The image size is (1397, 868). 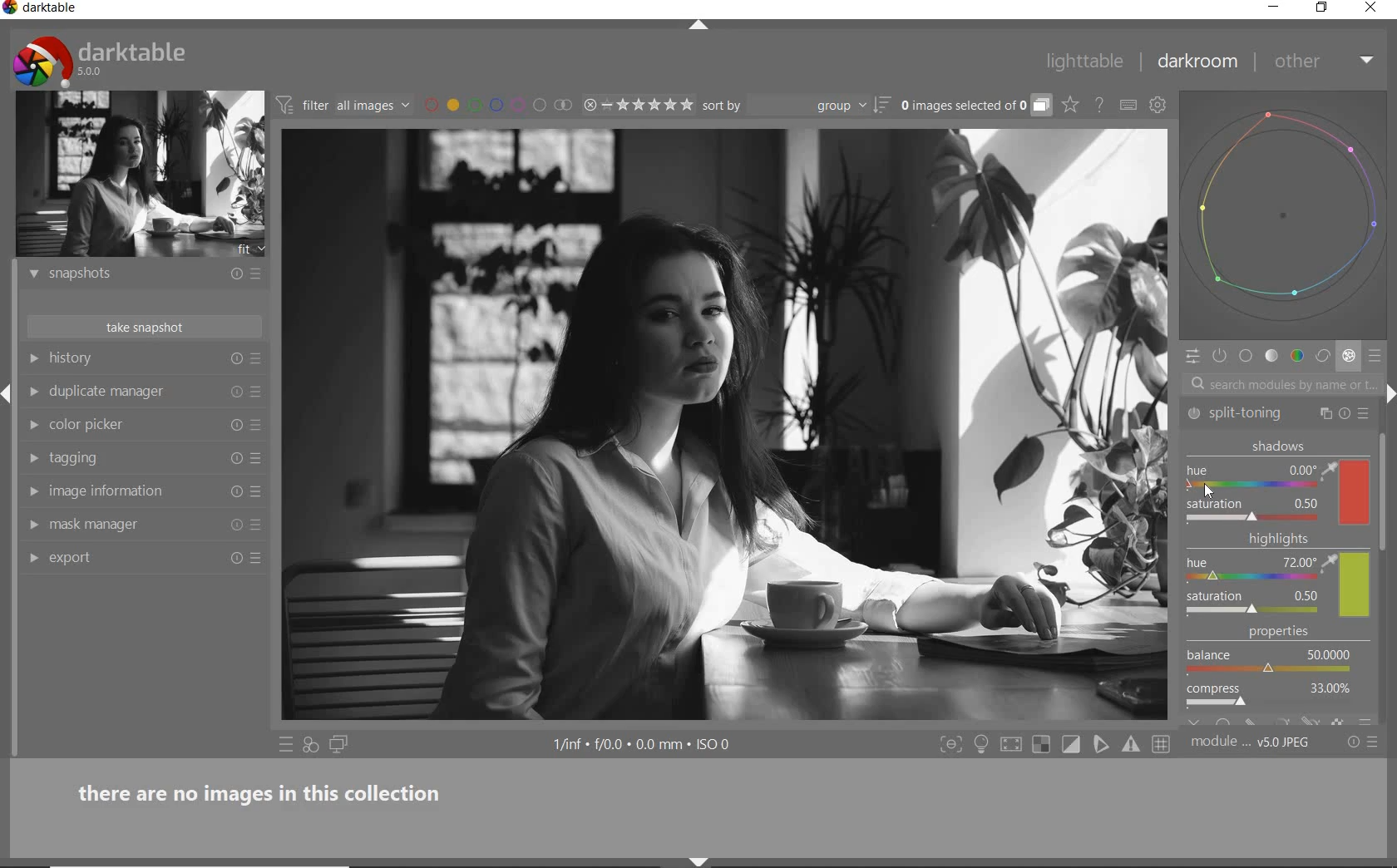 I want to click on filter by images color label, so click(x=497, y=105).